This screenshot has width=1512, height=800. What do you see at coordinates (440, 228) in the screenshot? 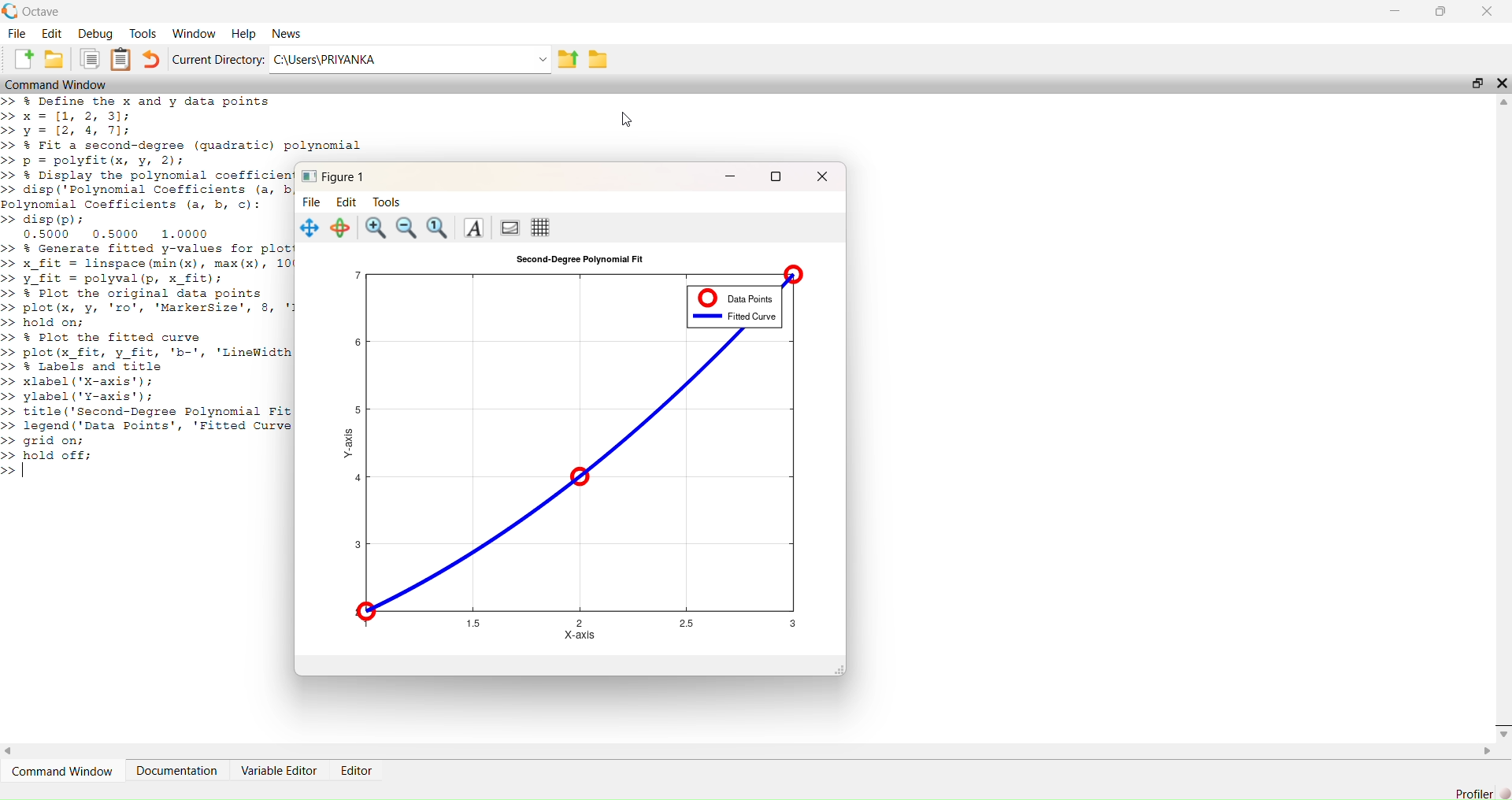
I see `Automatic limits for current axes` at bounding box center [440, 228].